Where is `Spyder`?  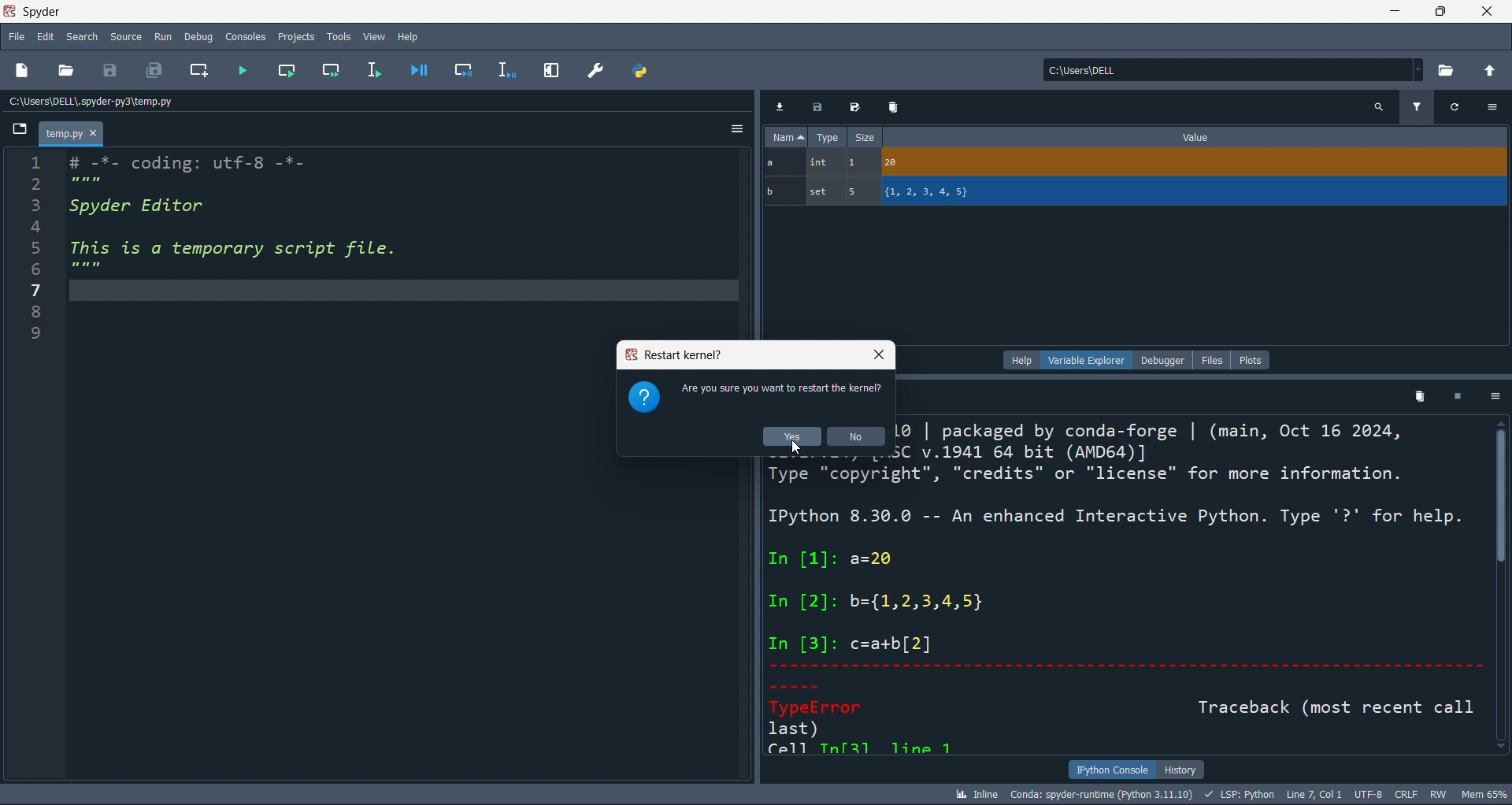 Spyder is located at coordinates (43, 11).